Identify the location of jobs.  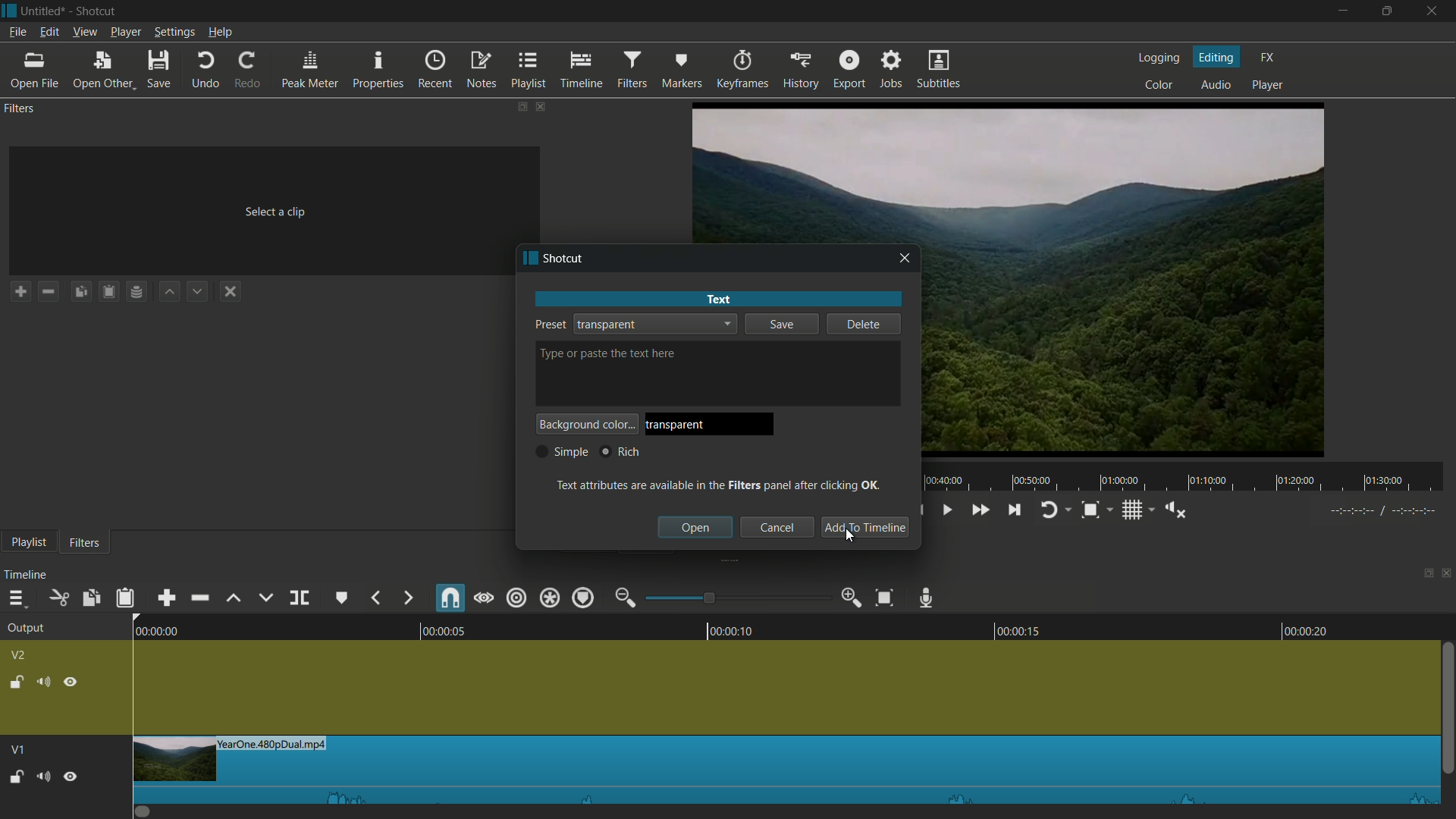
(893, 71).